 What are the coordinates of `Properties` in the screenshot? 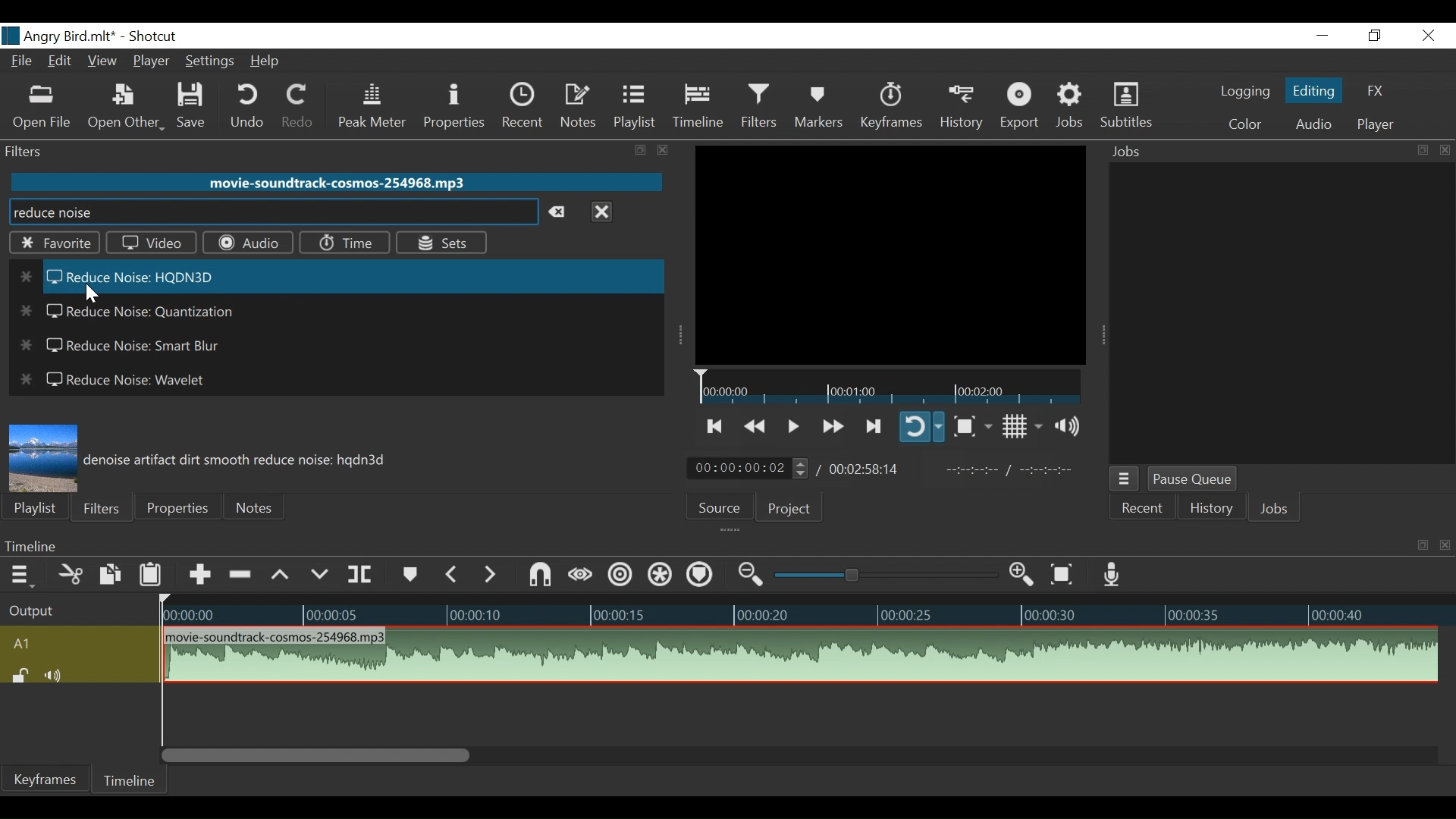 It's located at (457, 105).